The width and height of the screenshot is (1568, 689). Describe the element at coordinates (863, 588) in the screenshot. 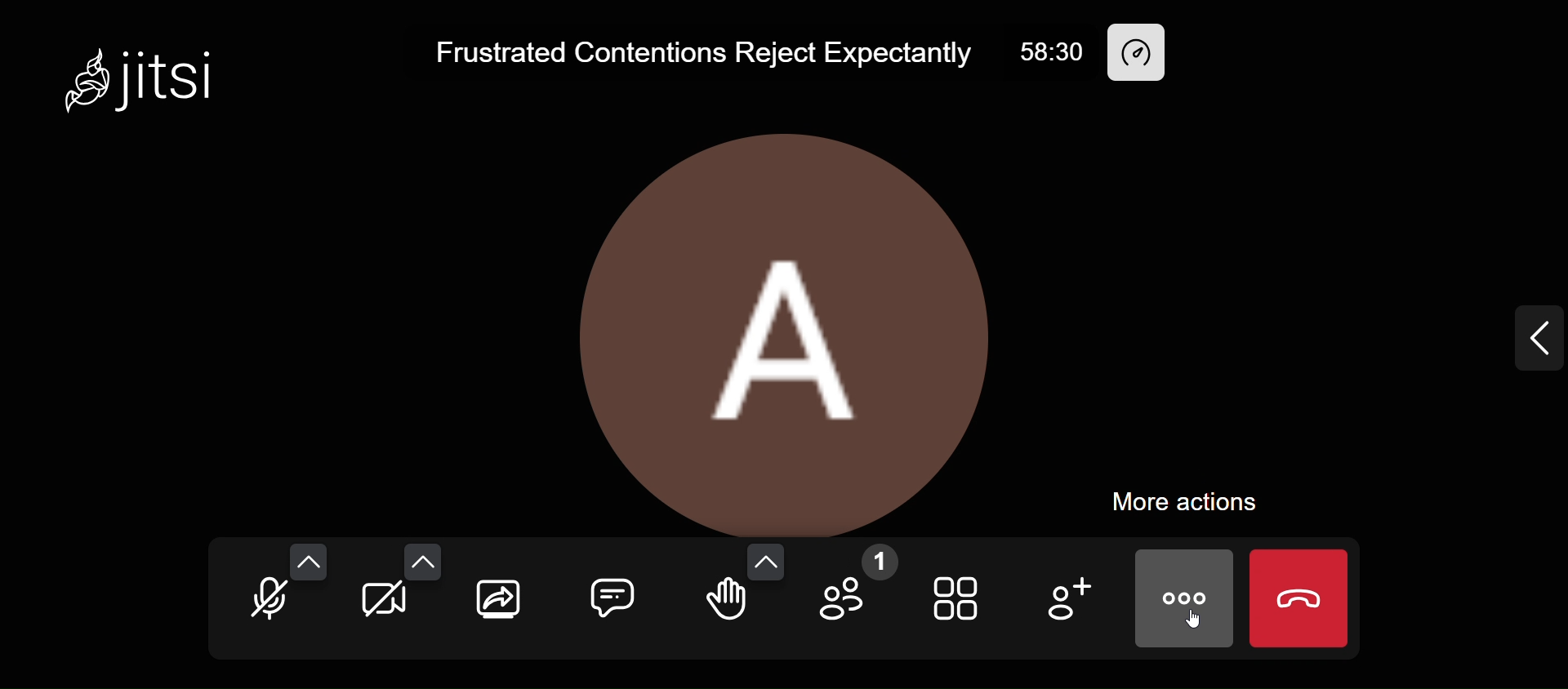

I see `participants` at that location.